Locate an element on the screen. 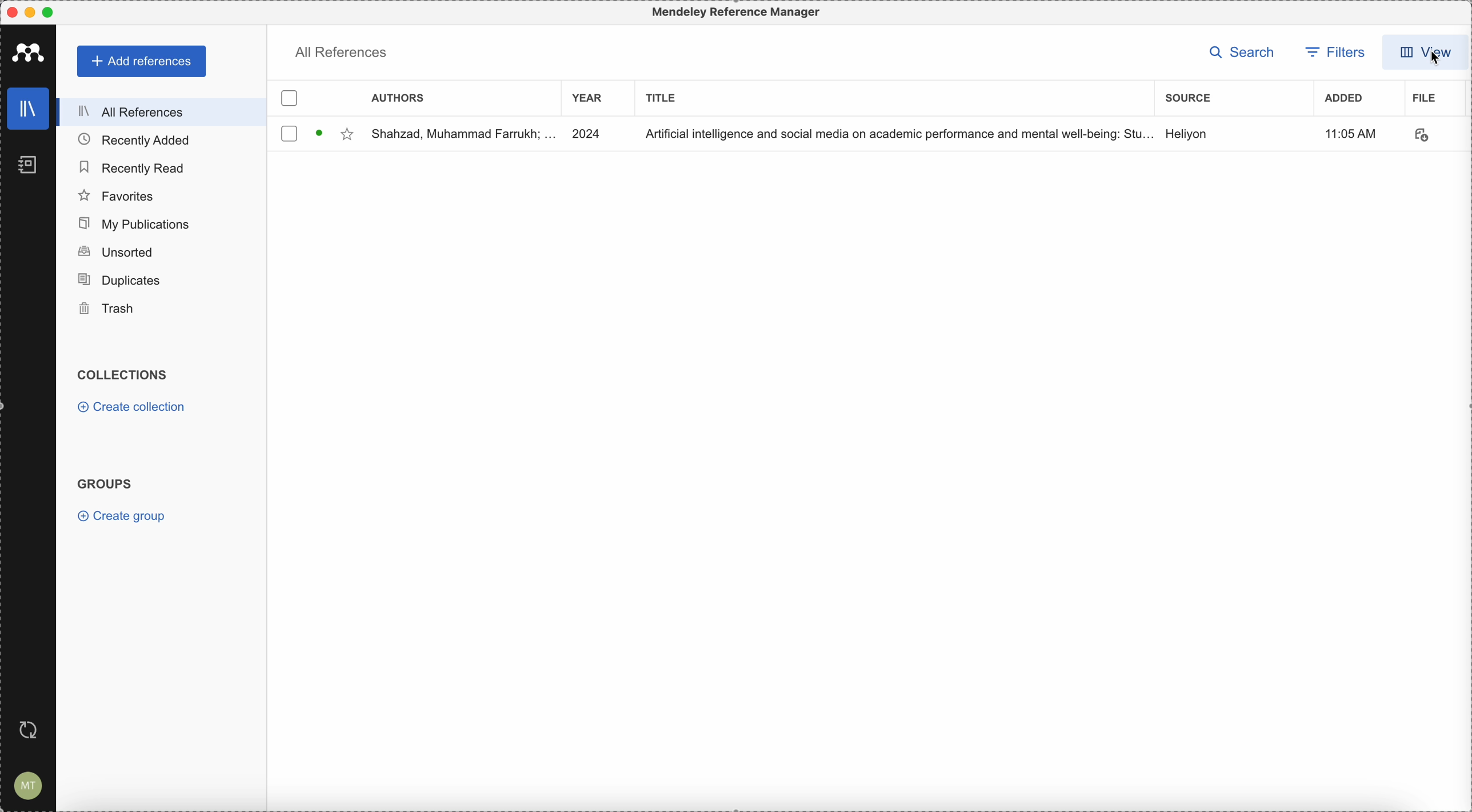 This screenshot has width=1472, height=812. recently read is located at coordinates (133, 167).